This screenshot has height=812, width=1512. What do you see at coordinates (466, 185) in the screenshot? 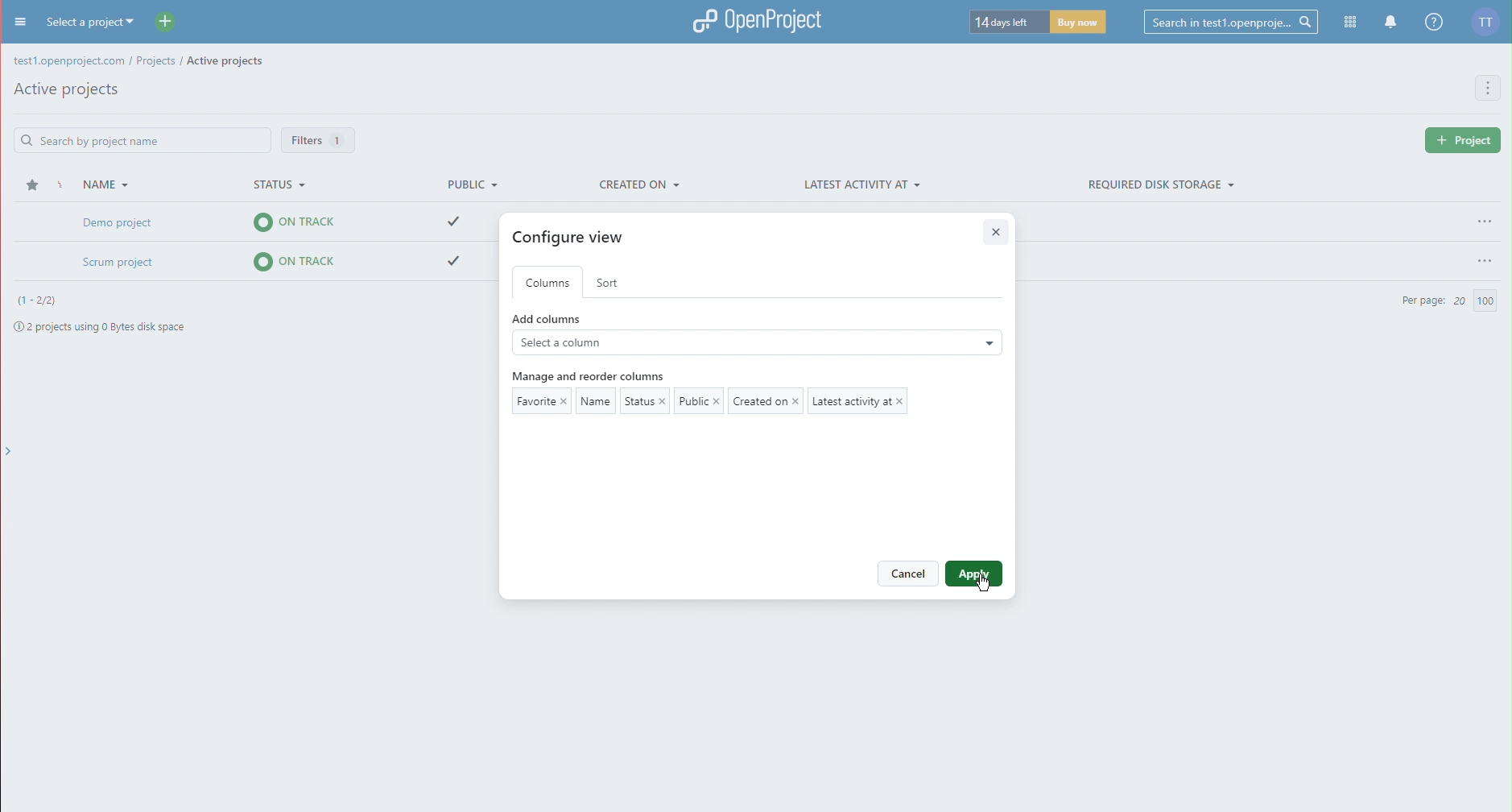
I see `Public` at bounding box center [466, 185].